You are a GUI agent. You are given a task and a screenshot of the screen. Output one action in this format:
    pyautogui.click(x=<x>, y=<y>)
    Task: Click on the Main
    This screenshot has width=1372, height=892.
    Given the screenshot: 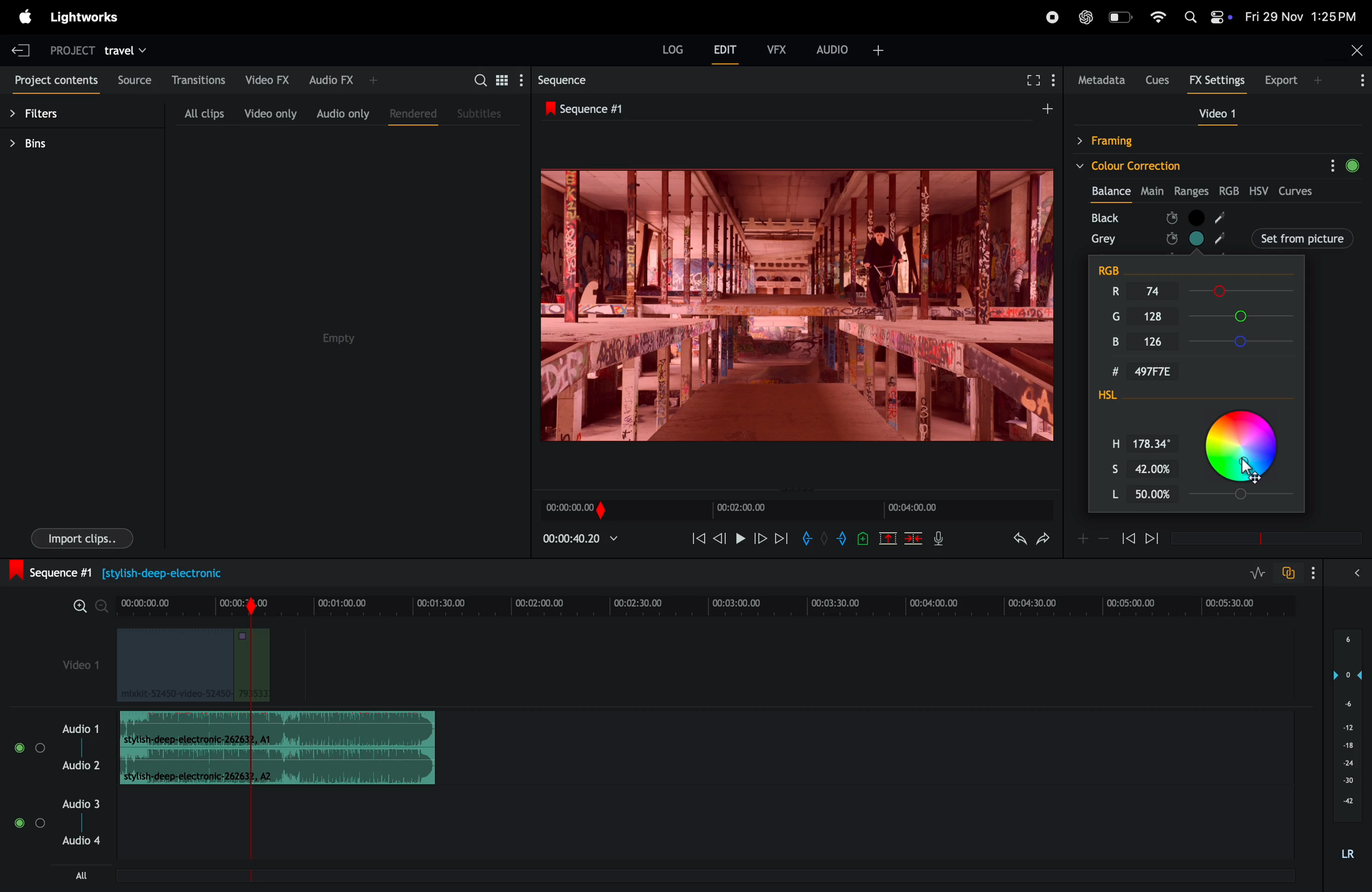 What is the action you would take?
    pyautogui.click(x=1154, y=189)
    